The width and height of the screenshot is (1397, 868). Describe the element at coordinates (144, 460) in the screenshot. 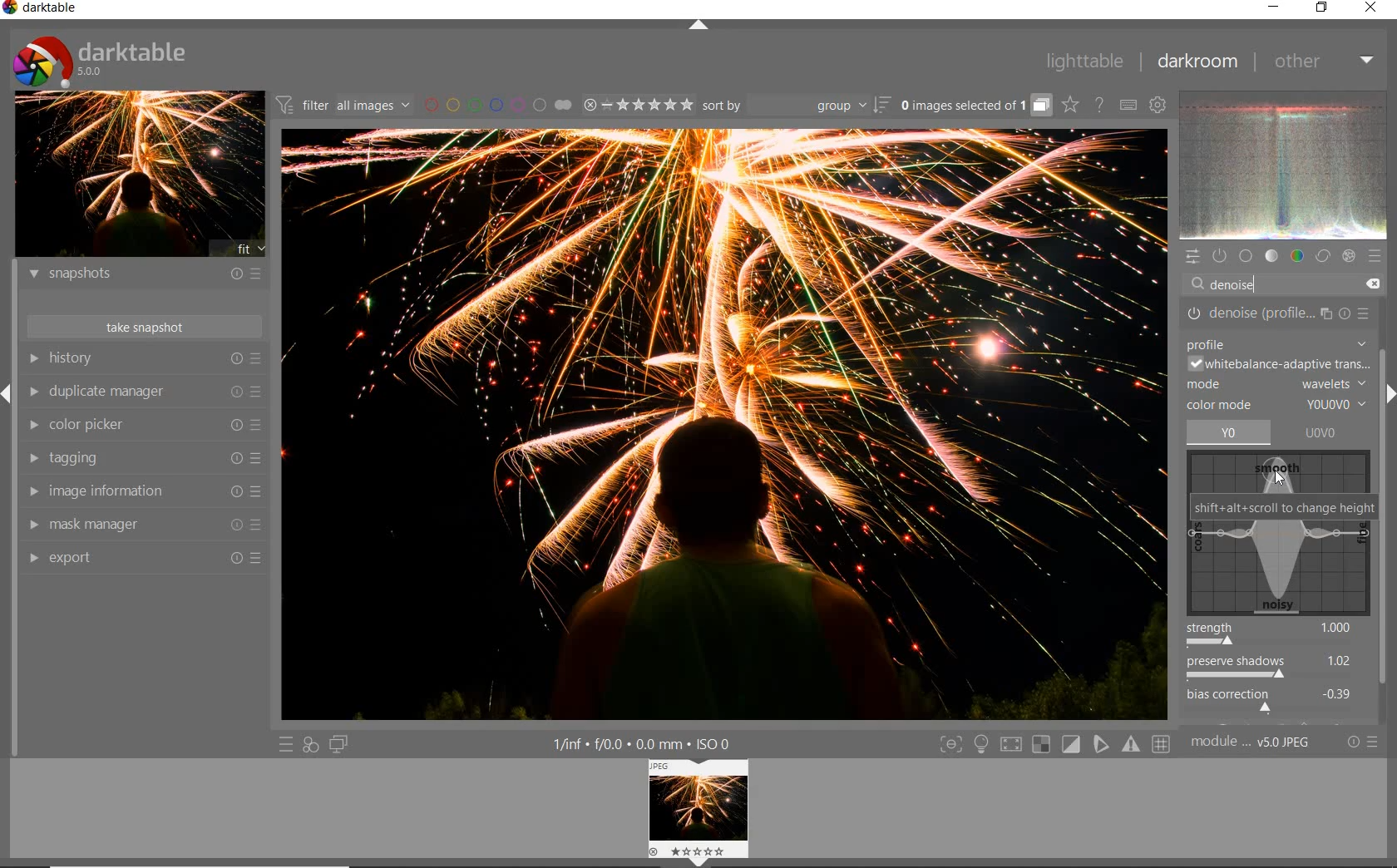

I see `tagging` at that location.